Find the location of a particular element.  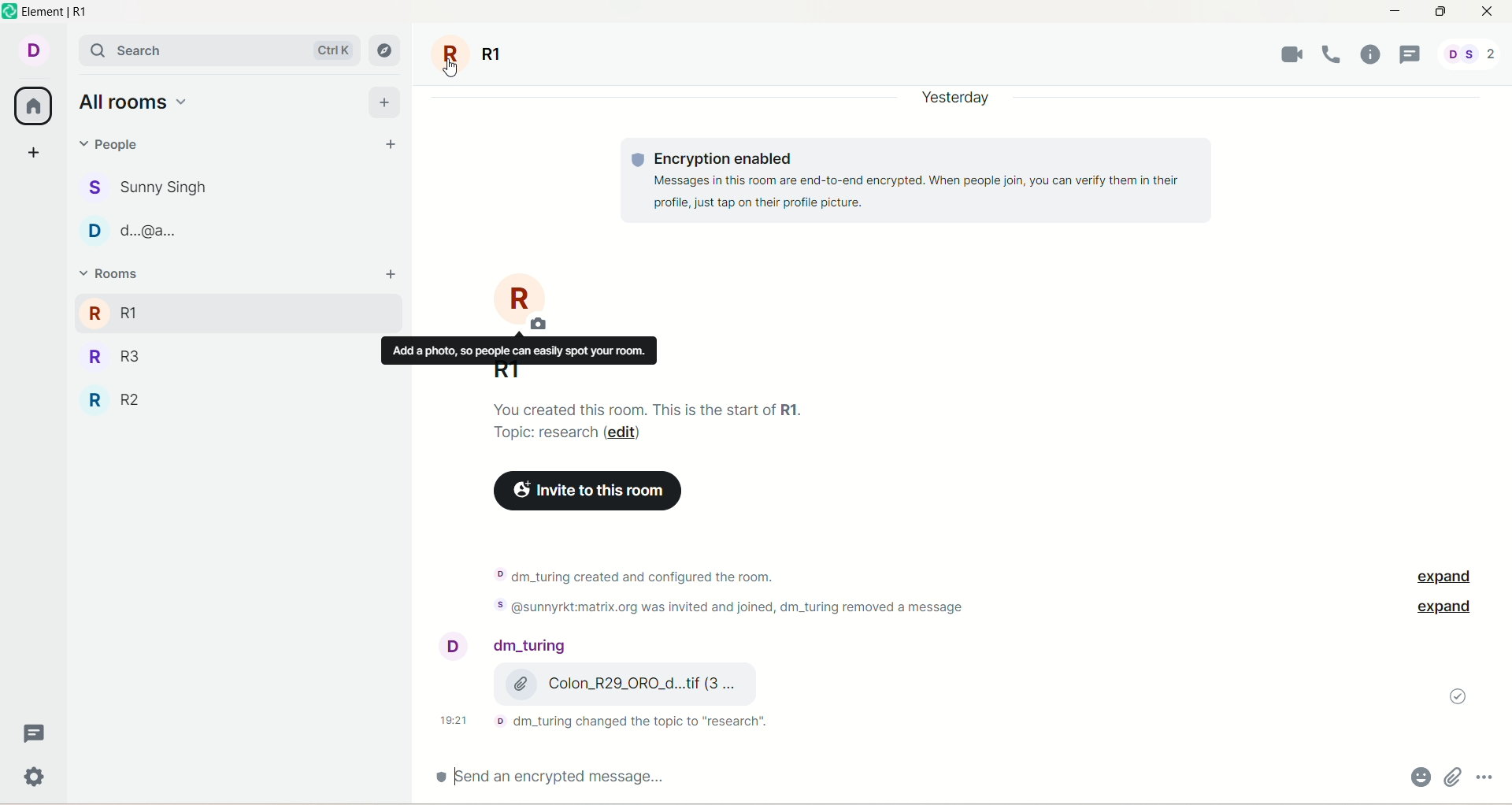

options is located at coordinates (1491, 777).